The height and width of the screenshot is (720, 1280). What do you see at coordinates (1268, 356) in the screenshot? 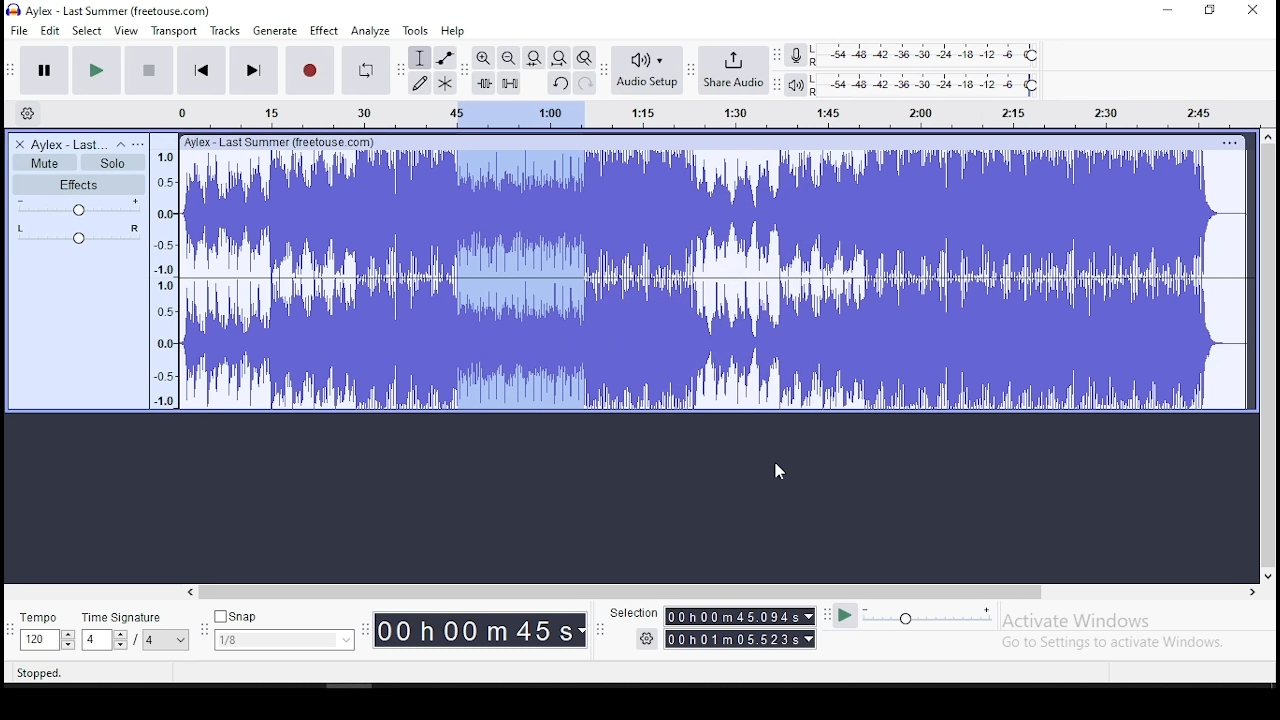
I see `scroll bar` at bounding box center [1268, 356].